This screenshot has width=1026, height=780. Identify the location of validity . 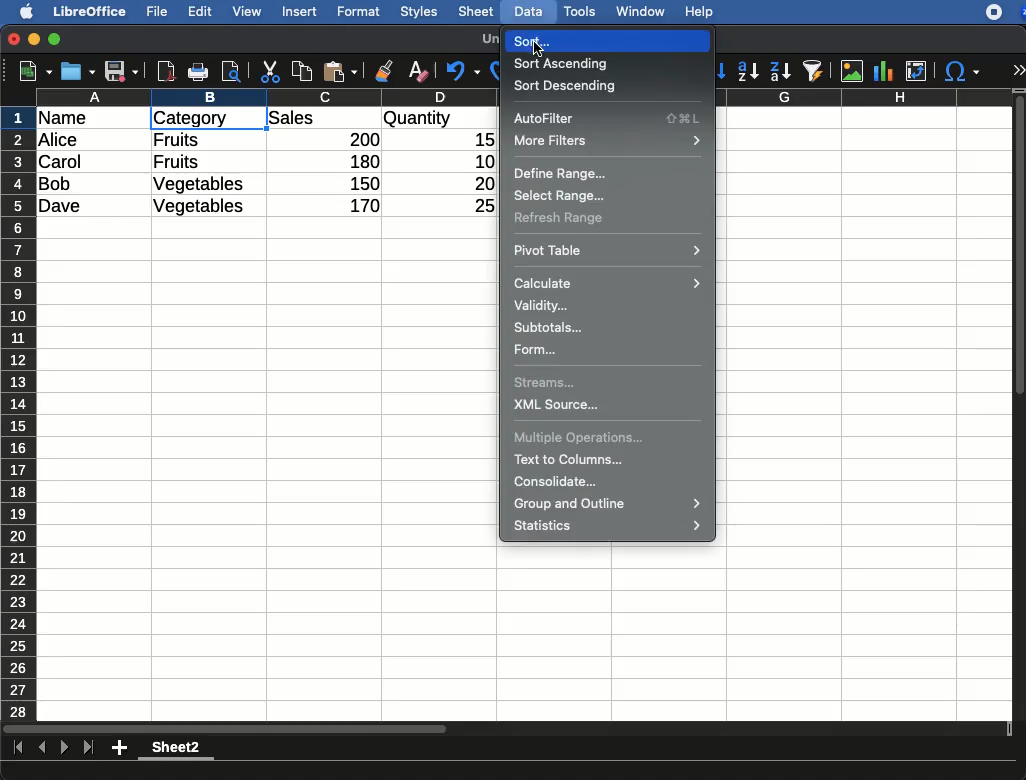
(543, 305).